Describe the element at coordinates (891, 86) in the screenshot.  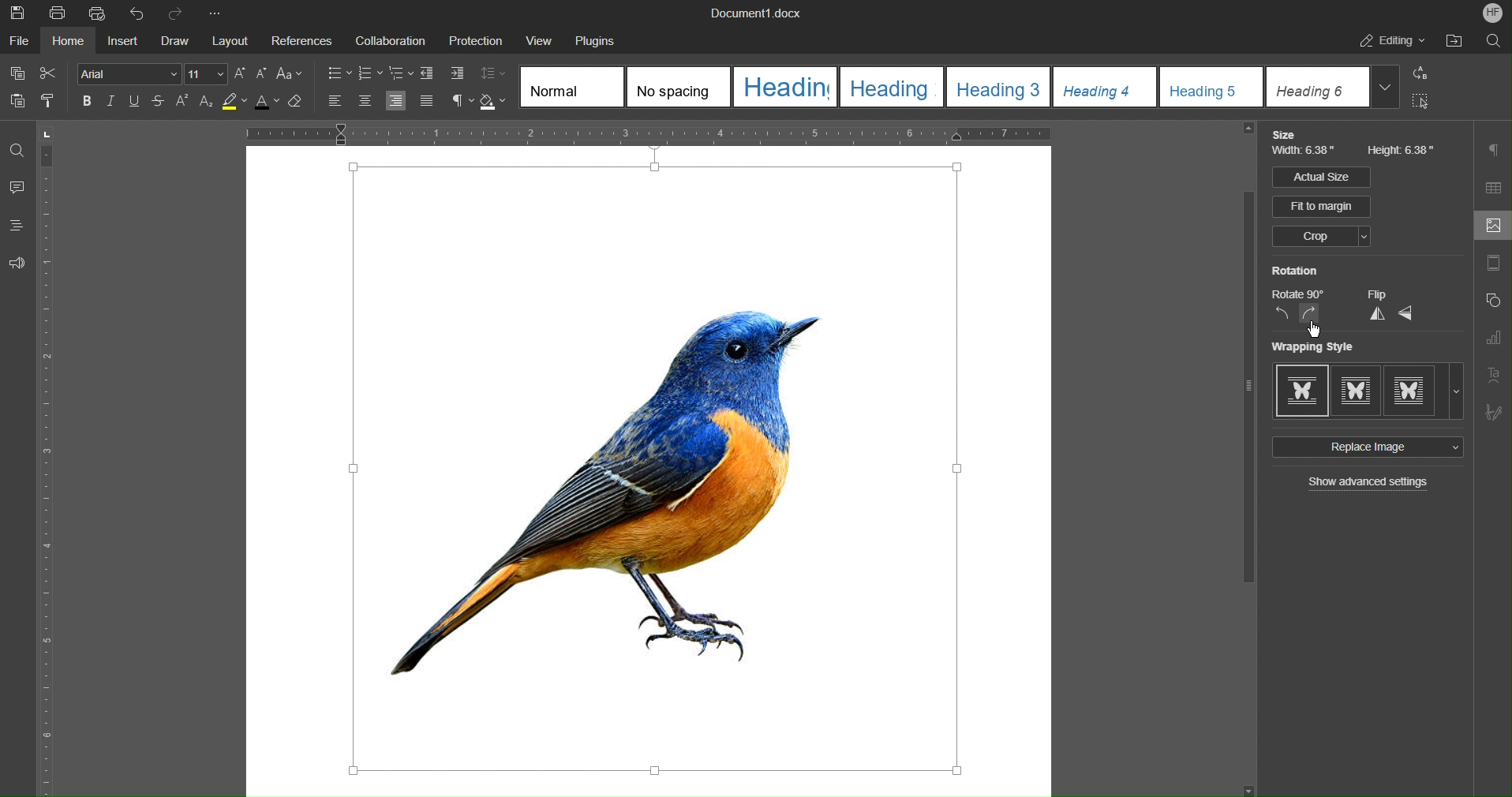
I see `Heading 2` at that location.